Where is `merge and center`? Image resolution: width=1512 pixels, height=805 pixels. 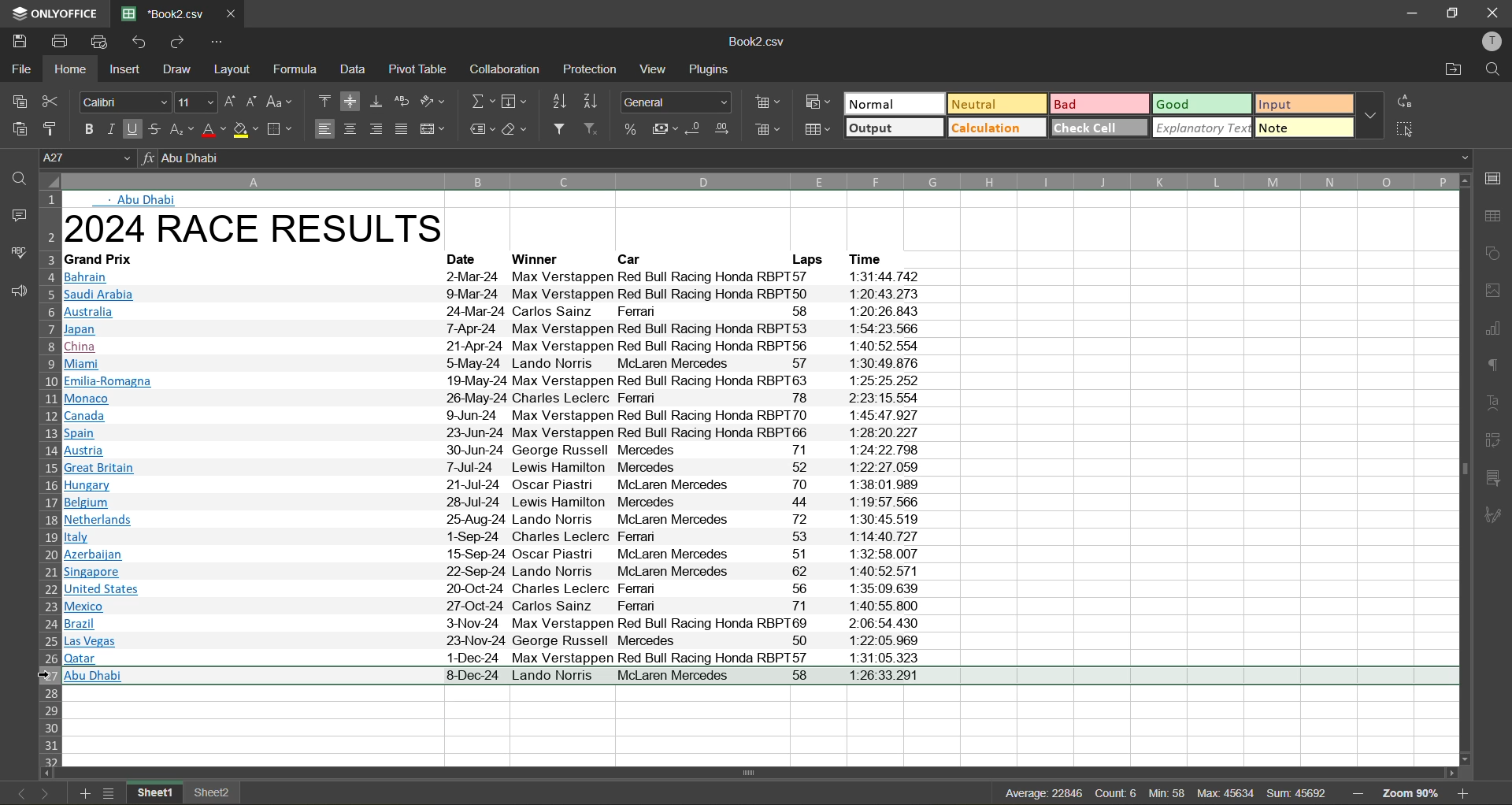
merge and center is located at coordinates (435, 129).